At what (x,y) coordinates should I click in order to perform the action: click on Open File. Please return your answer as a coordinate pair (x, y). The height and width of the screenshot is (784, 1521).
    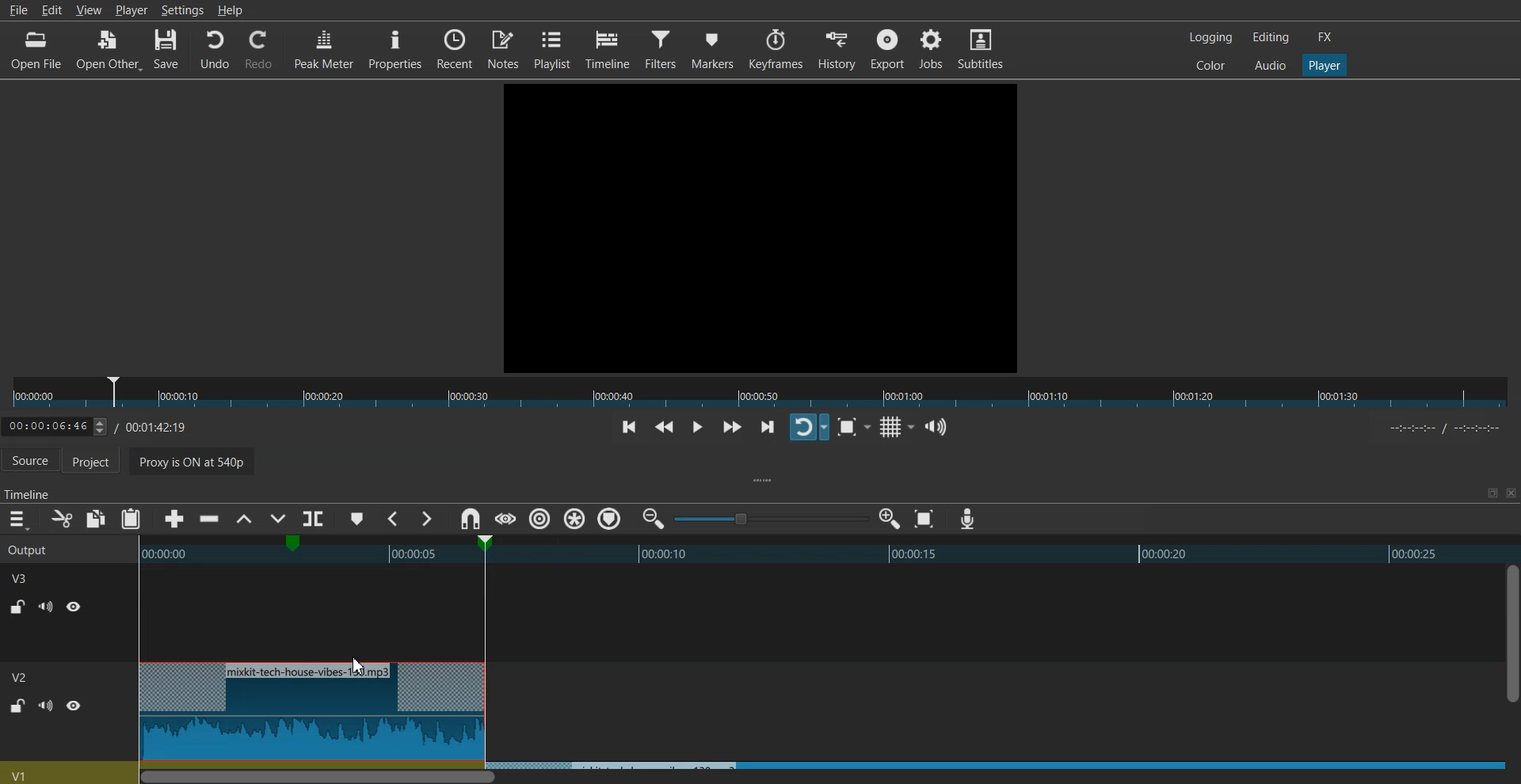
    Looking at the image, I should click on (38, 50).